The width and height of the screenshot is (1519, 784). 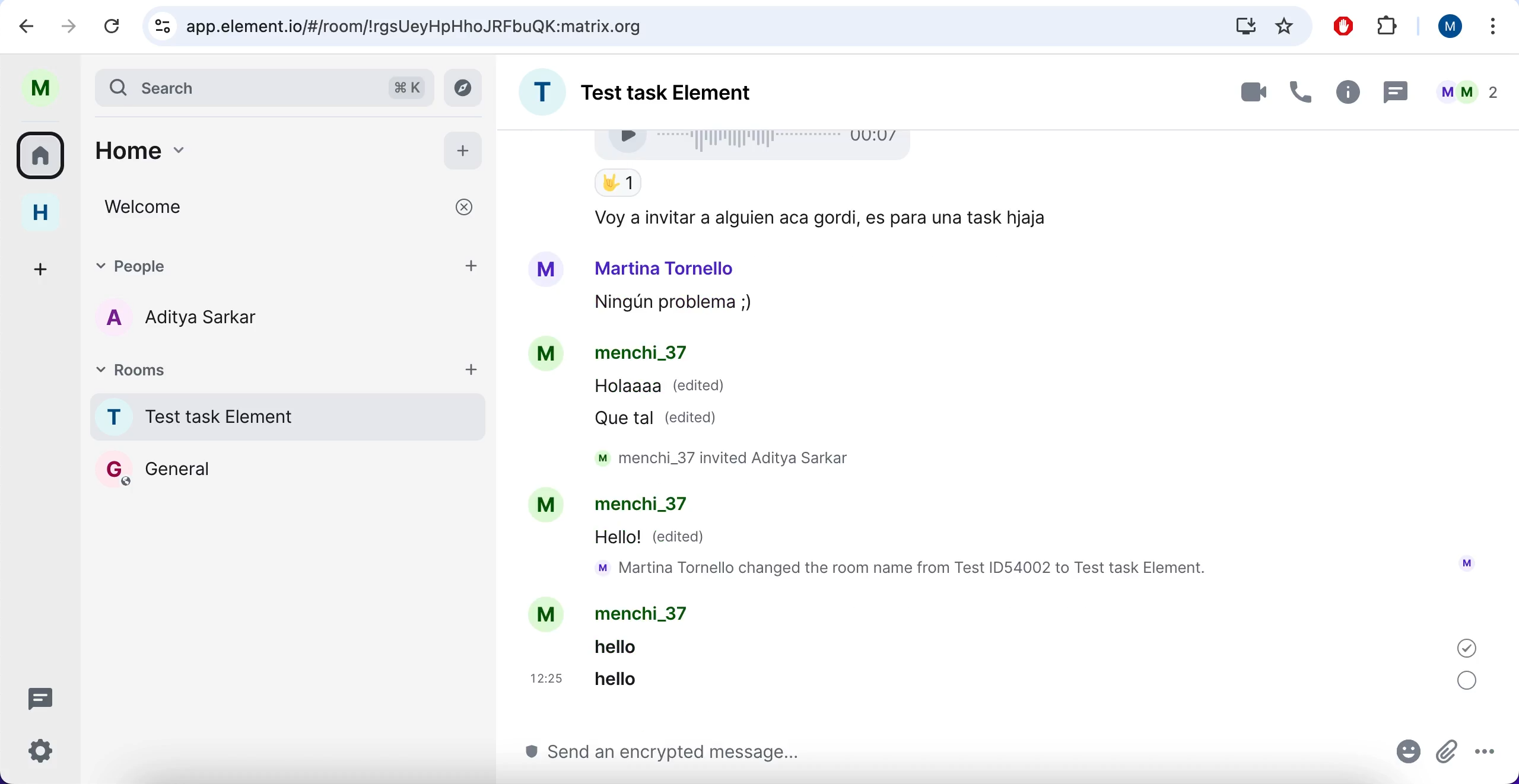 I want to click on threads, so click(x=47, y=697).